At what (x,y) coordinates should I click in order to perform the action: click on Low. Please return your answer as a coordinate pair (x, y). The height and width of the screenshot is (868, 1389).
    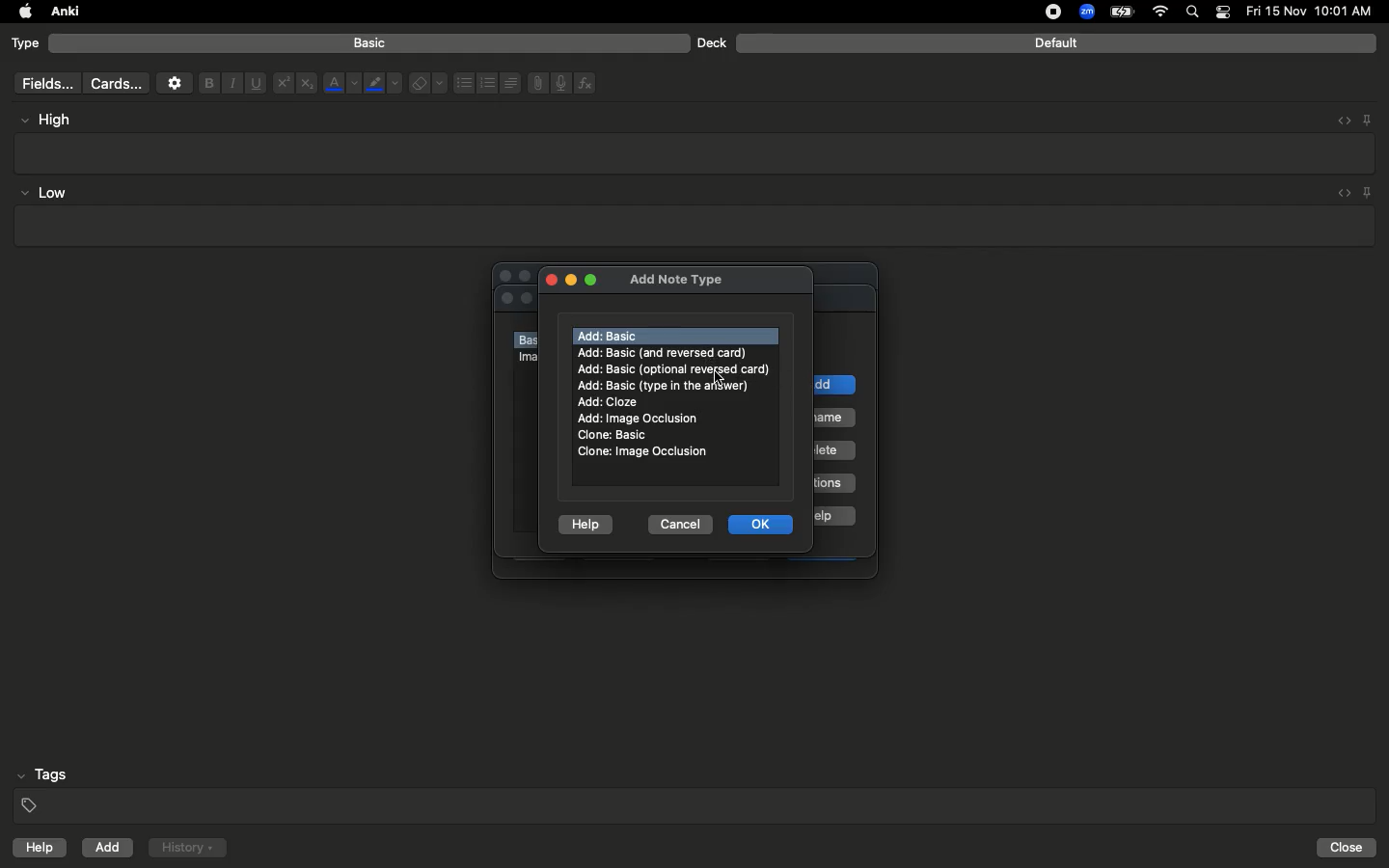
    Looking at the image, I should click on (44, 194).